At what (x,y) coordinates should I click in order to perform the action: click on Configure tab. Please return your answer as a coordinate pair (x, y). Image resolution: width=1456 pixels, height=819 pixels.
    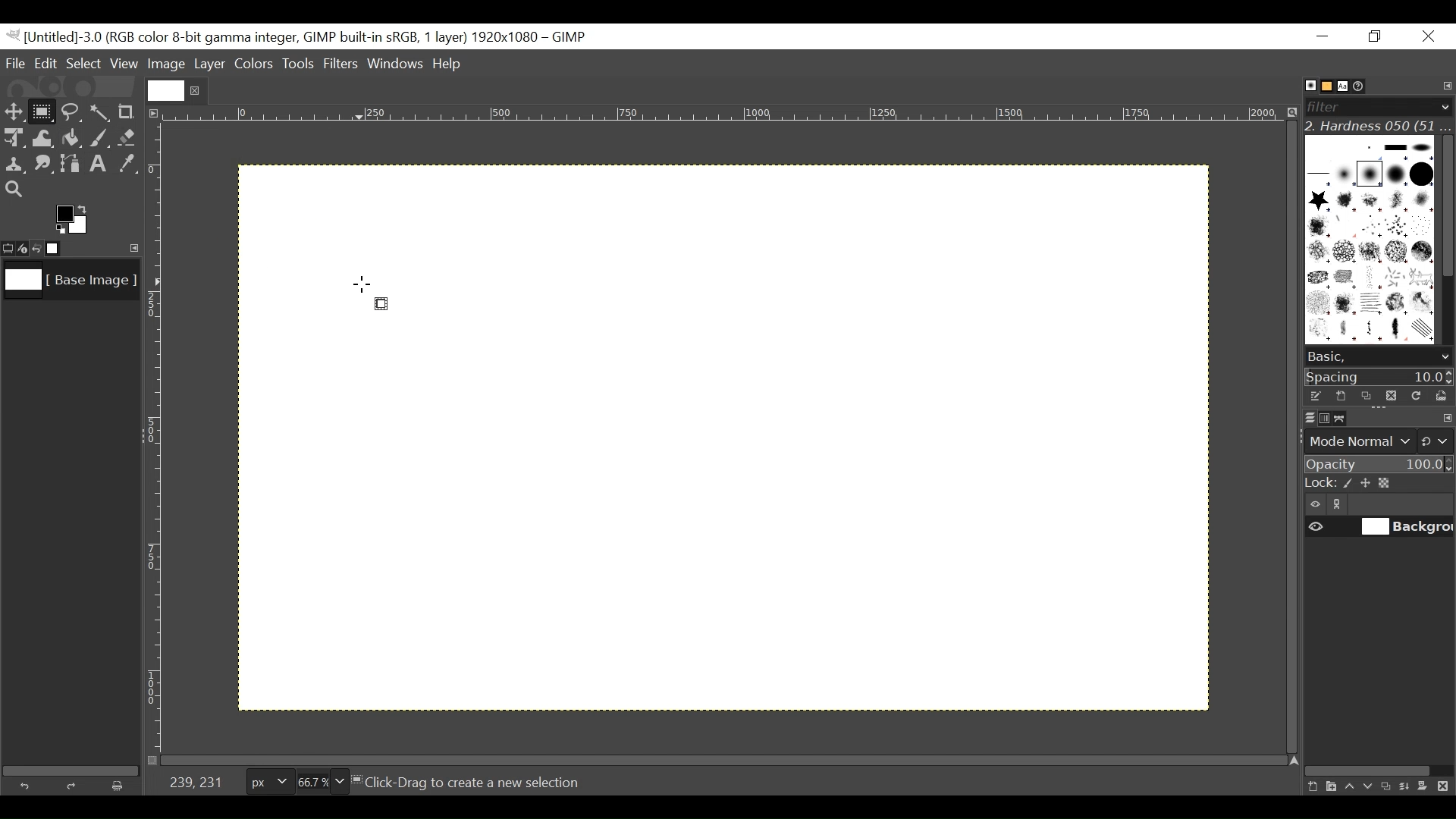
    Looking at the image, I should click on (1445, 86).